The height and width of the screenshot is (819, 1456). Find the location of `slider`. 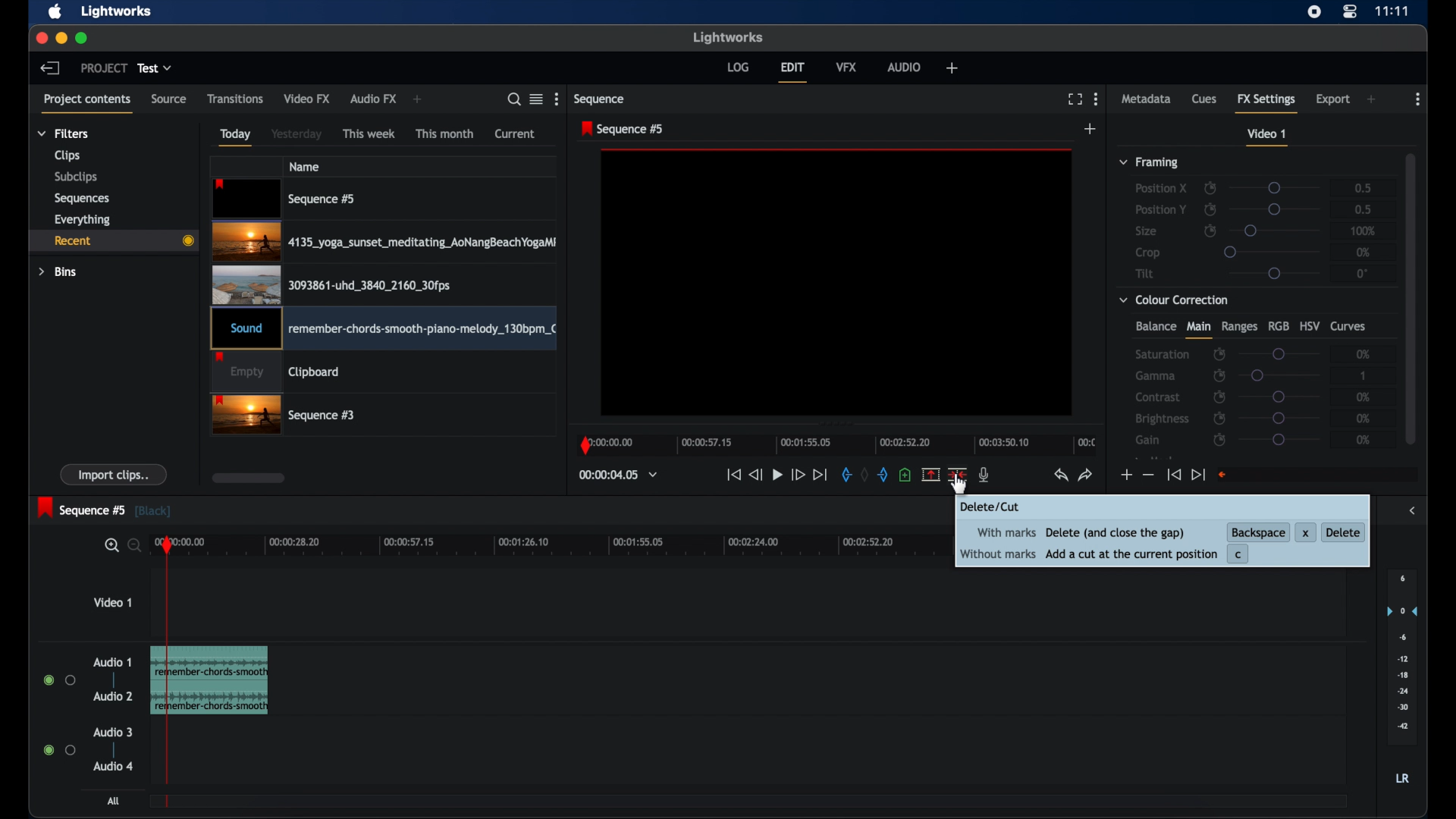

slider is located at coordinates (1279, 353).